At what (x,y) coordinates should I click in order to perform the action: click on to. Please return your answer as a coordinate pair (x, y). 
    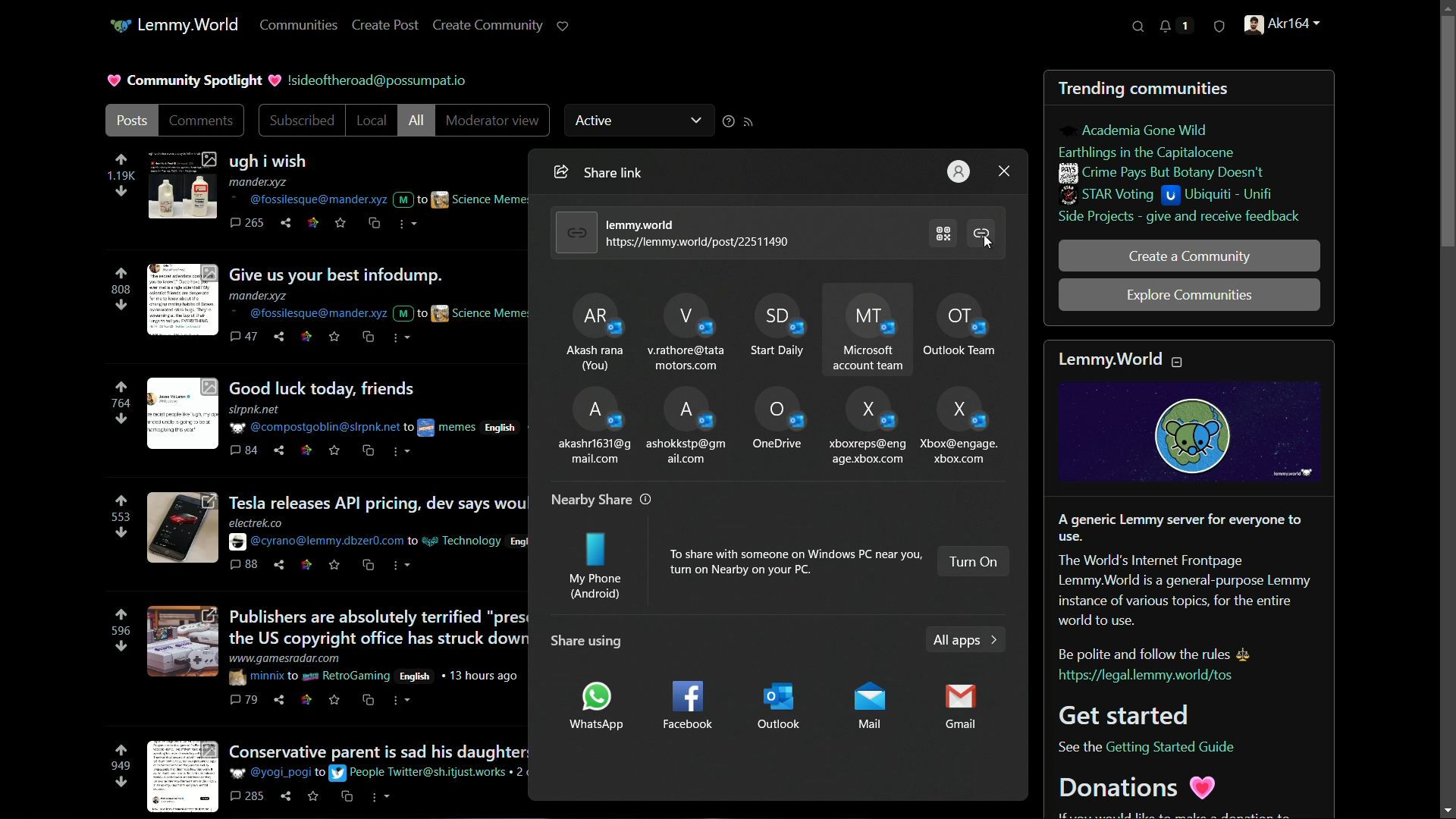
    Looking at the image, I should click on (321, 774).